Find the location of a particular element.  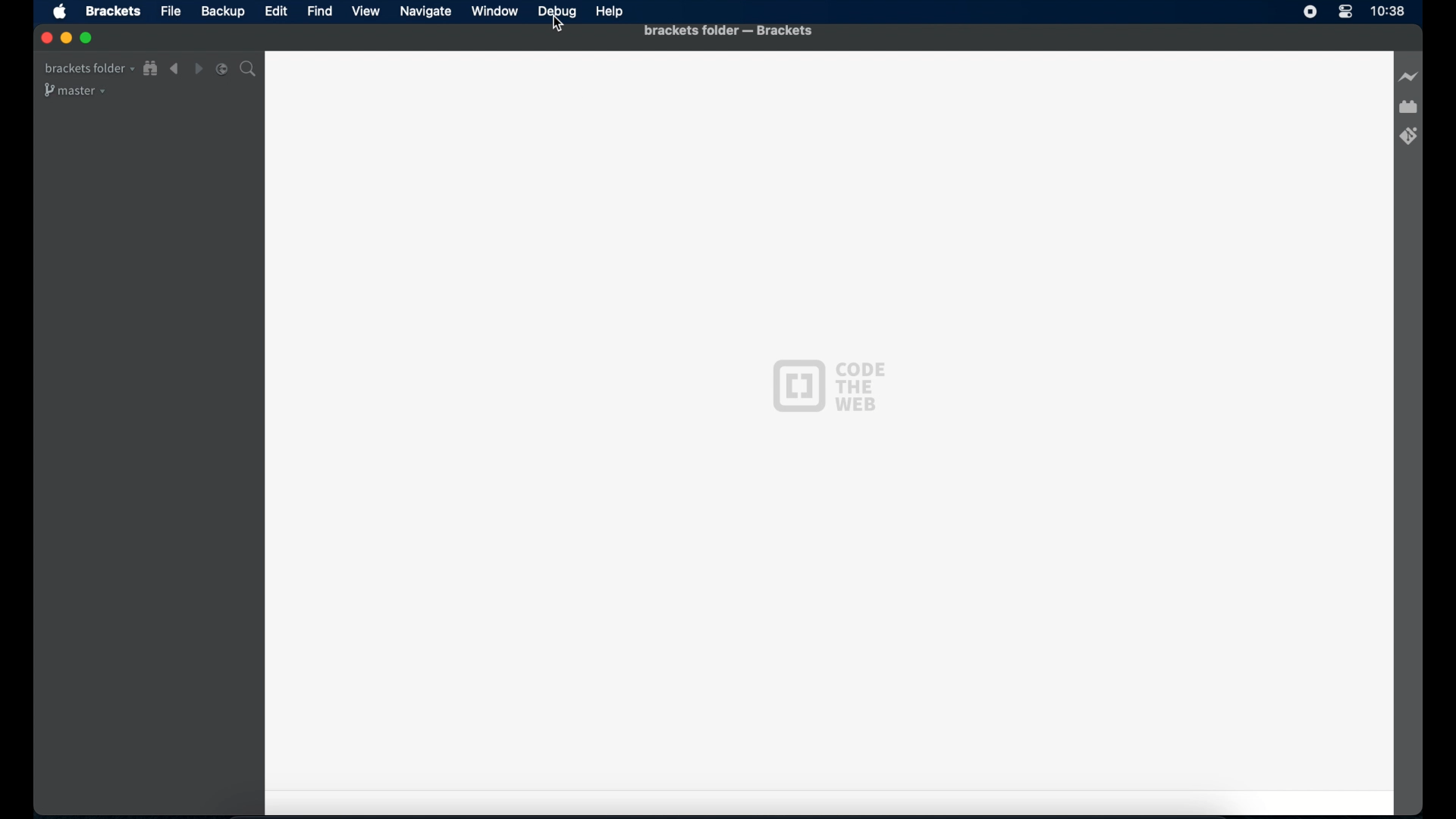

file is located at coordinates (172, 12).